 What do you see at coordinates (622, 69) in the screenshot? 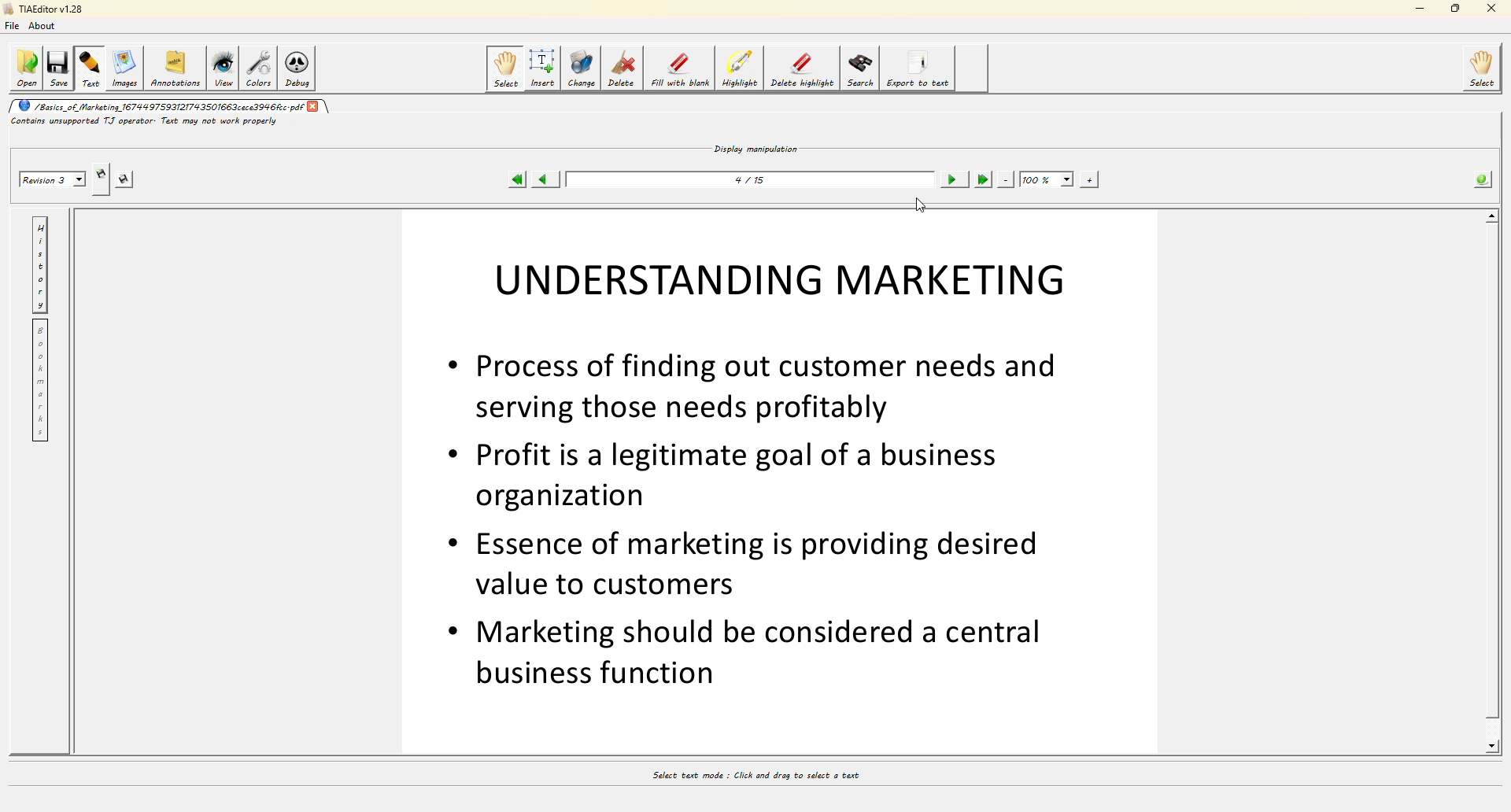
I see `delete` at bounding box center [622, 69].